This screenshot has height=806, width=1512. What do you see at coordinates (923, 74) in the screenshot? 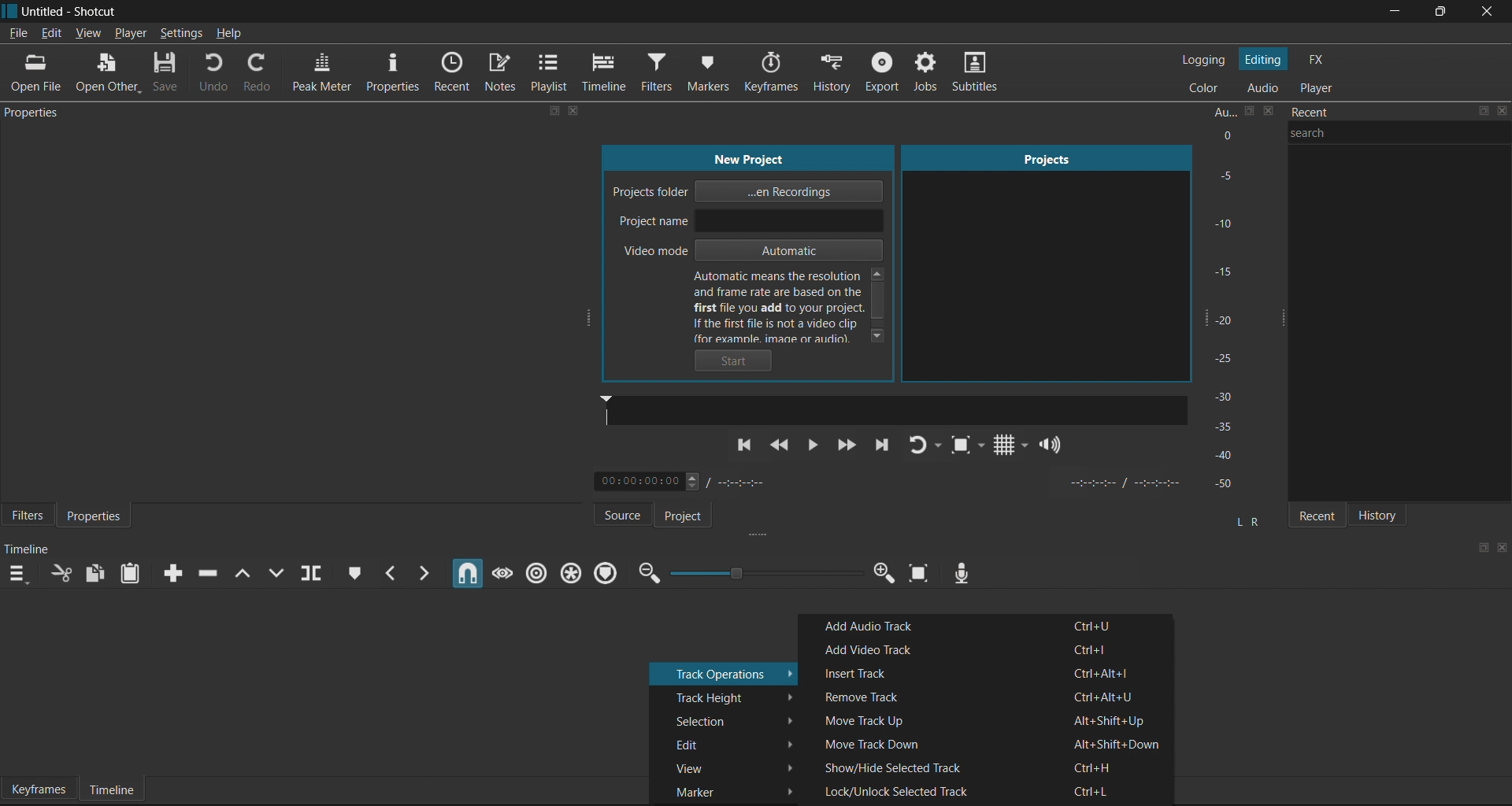
I see `Jobs` at bounding box center [923, 74].